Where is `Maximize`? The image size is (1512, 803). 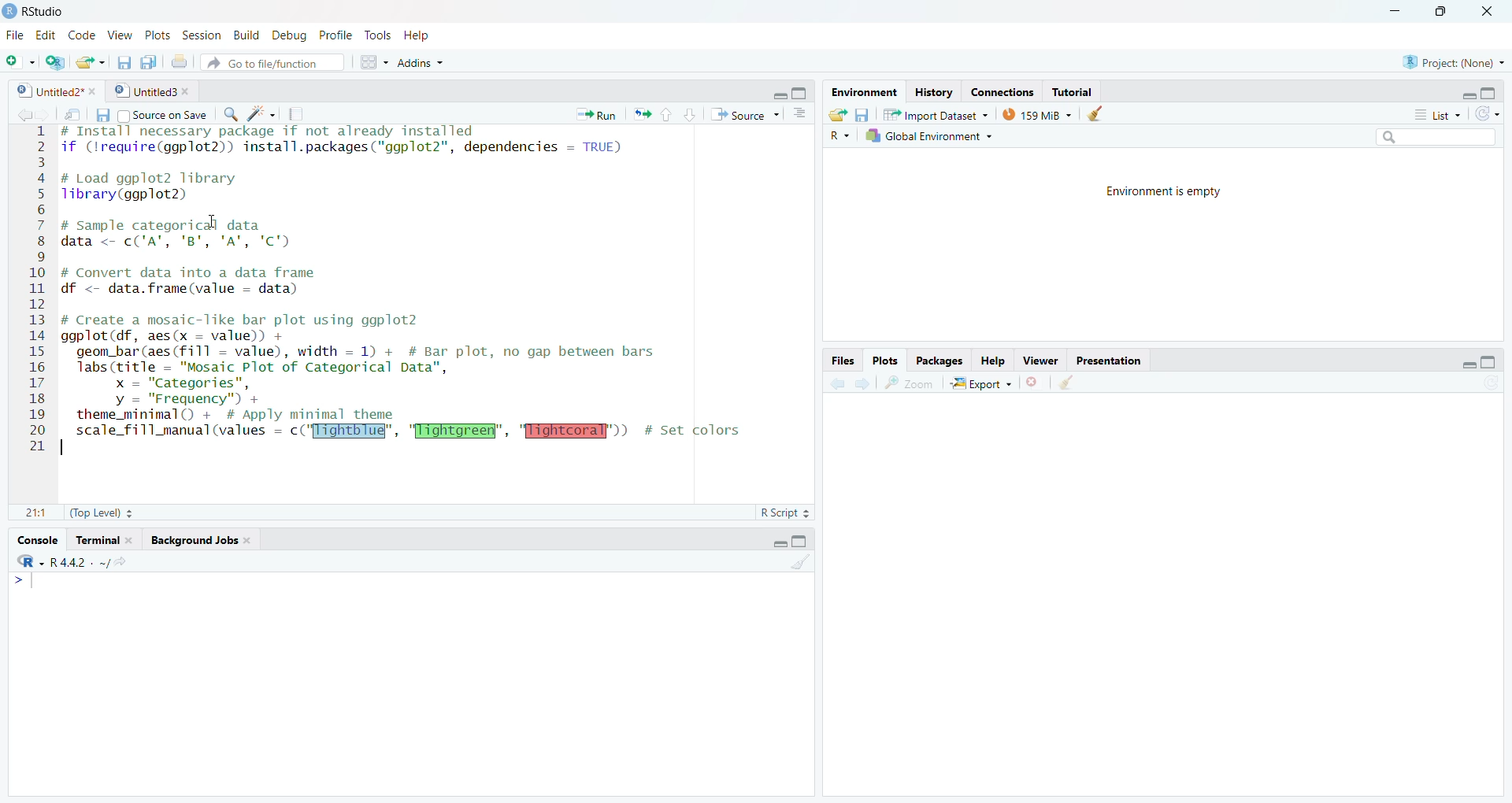 Maximize is located at coordinates (1492, 93).